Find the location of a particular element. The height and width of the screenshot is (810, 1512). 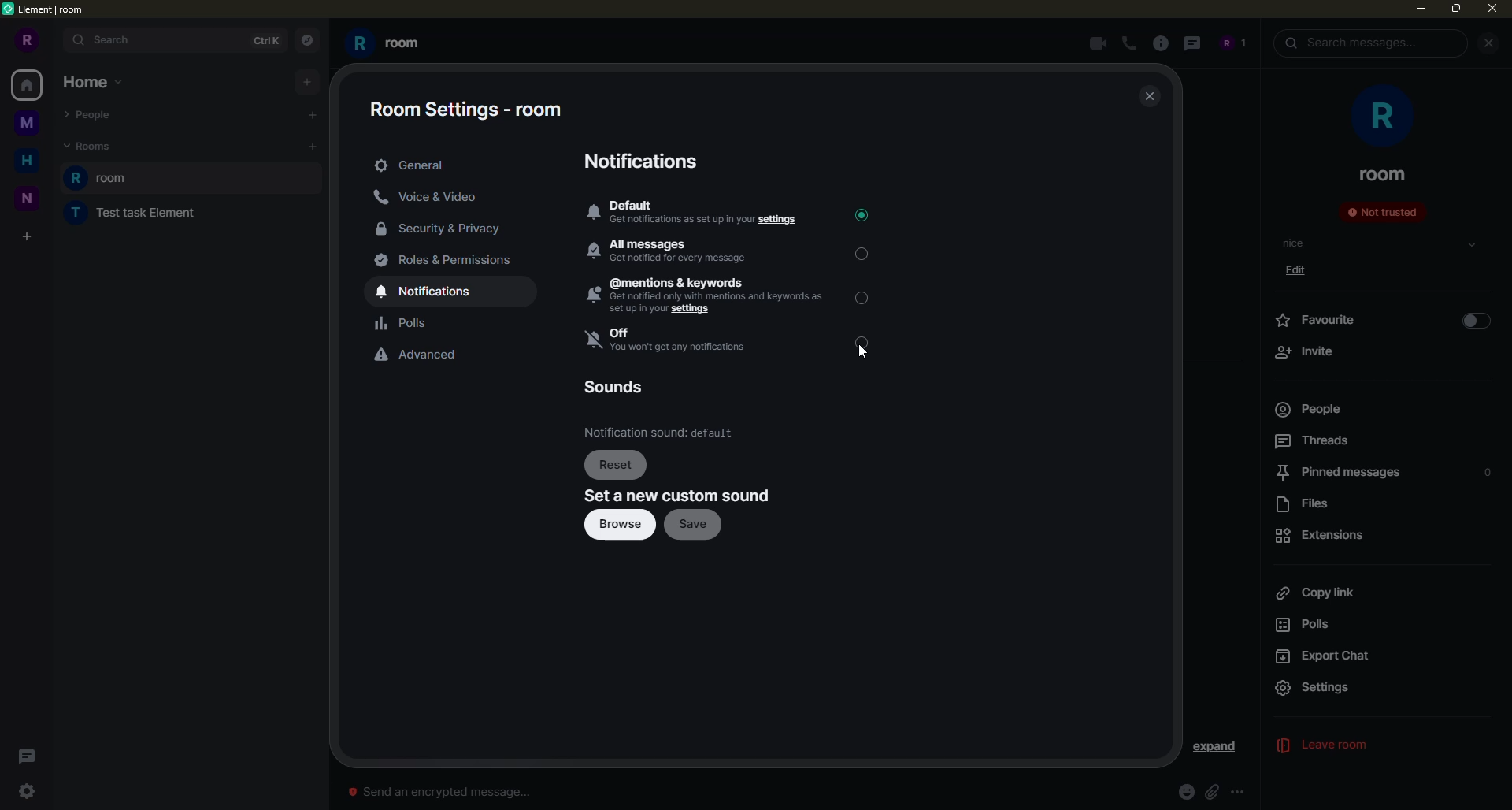

emoji is located at coordinates (1182, 791).